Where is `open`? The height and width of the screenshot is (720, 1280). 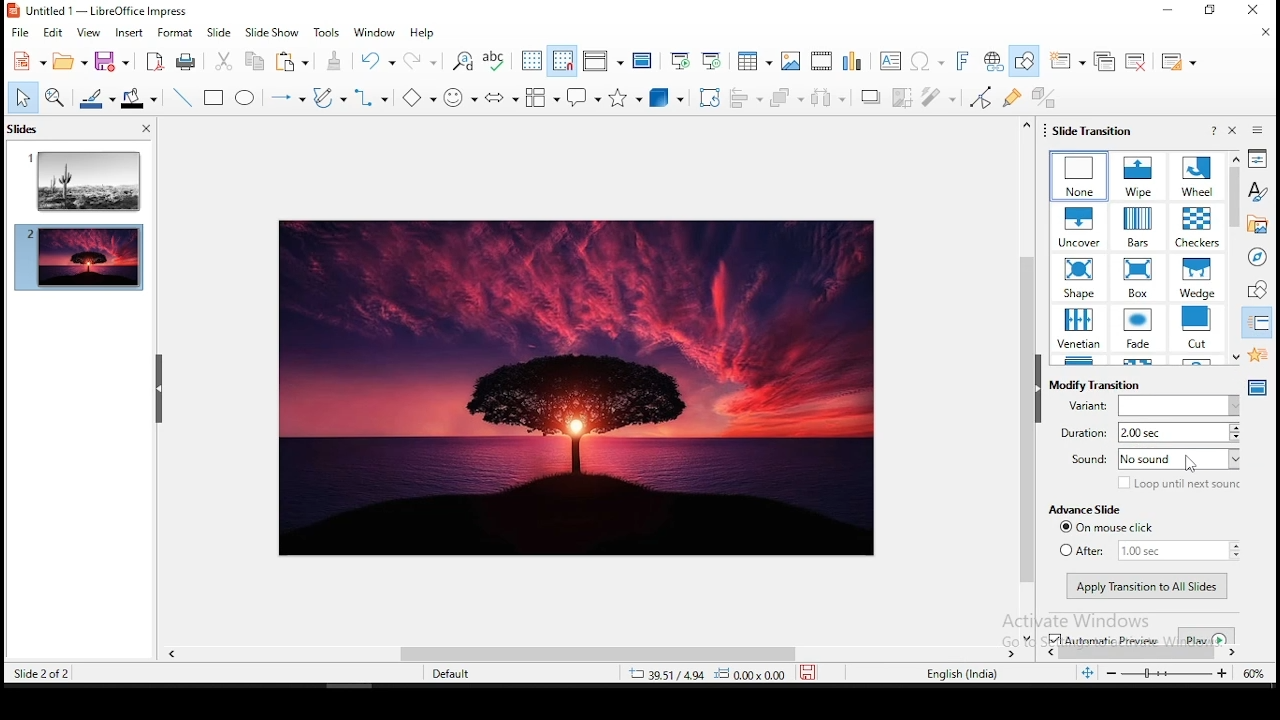
open is located at coordinates (70, 61).